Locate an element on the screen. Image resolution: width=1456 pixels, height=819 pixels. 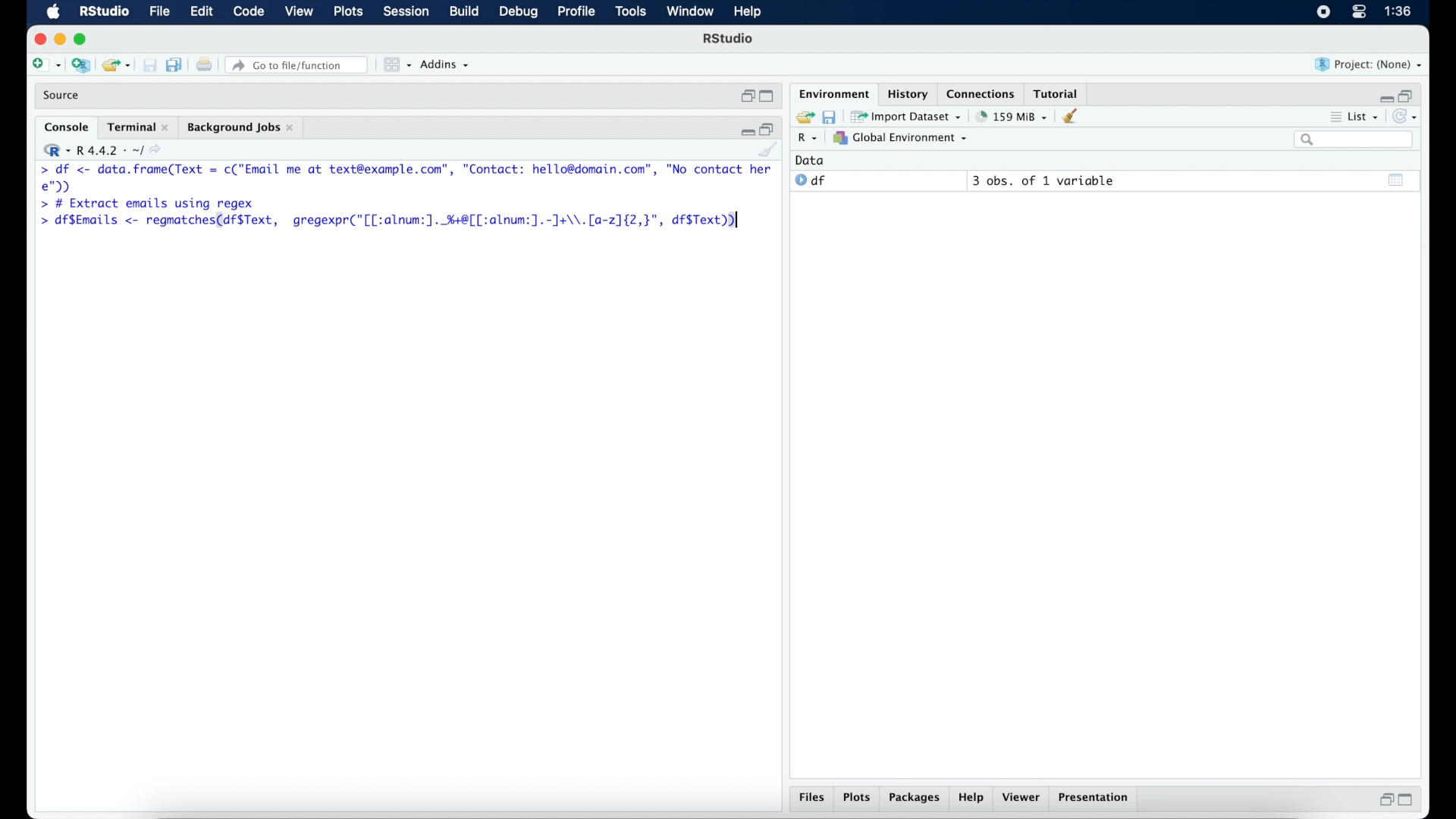
maximize is located at coordinates (1407, 801).